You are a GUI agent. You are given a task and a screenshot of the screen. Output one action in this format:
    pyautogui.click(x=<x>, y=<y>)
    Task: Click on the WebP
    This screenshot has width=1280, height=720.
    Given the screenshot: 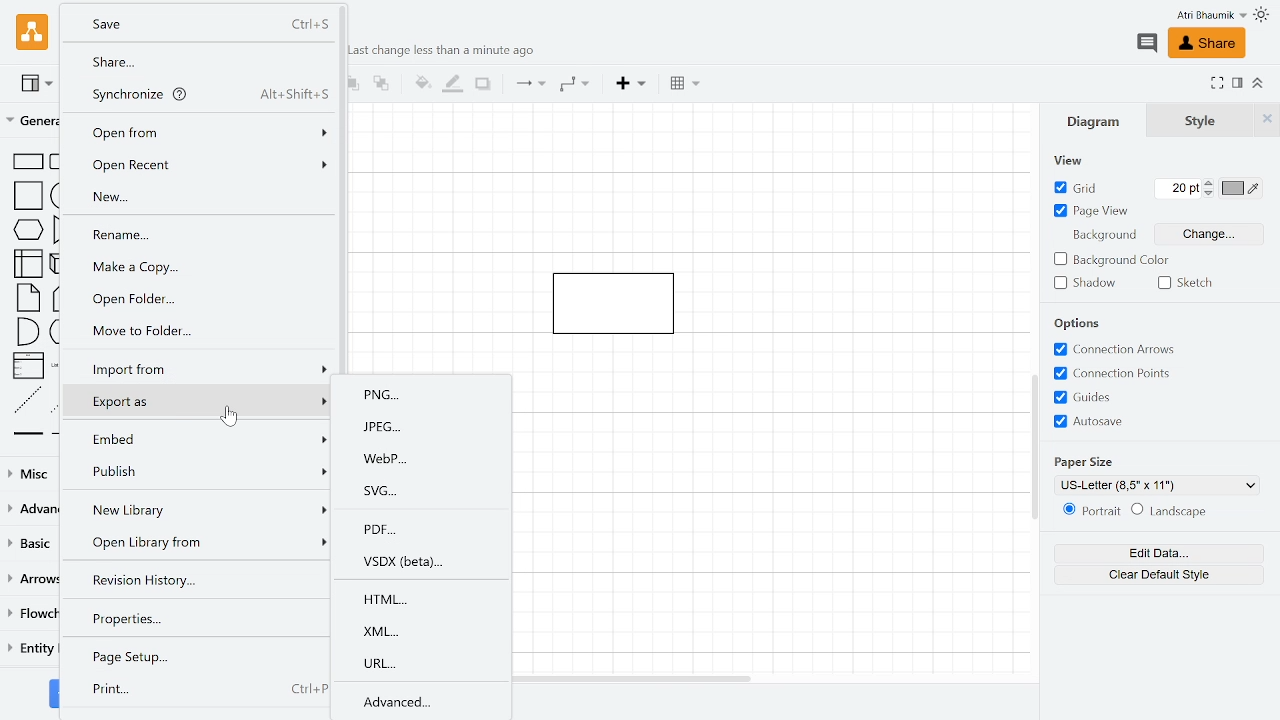 What is the action you would take?
    pyautogui.click(x=426, y=458)
    